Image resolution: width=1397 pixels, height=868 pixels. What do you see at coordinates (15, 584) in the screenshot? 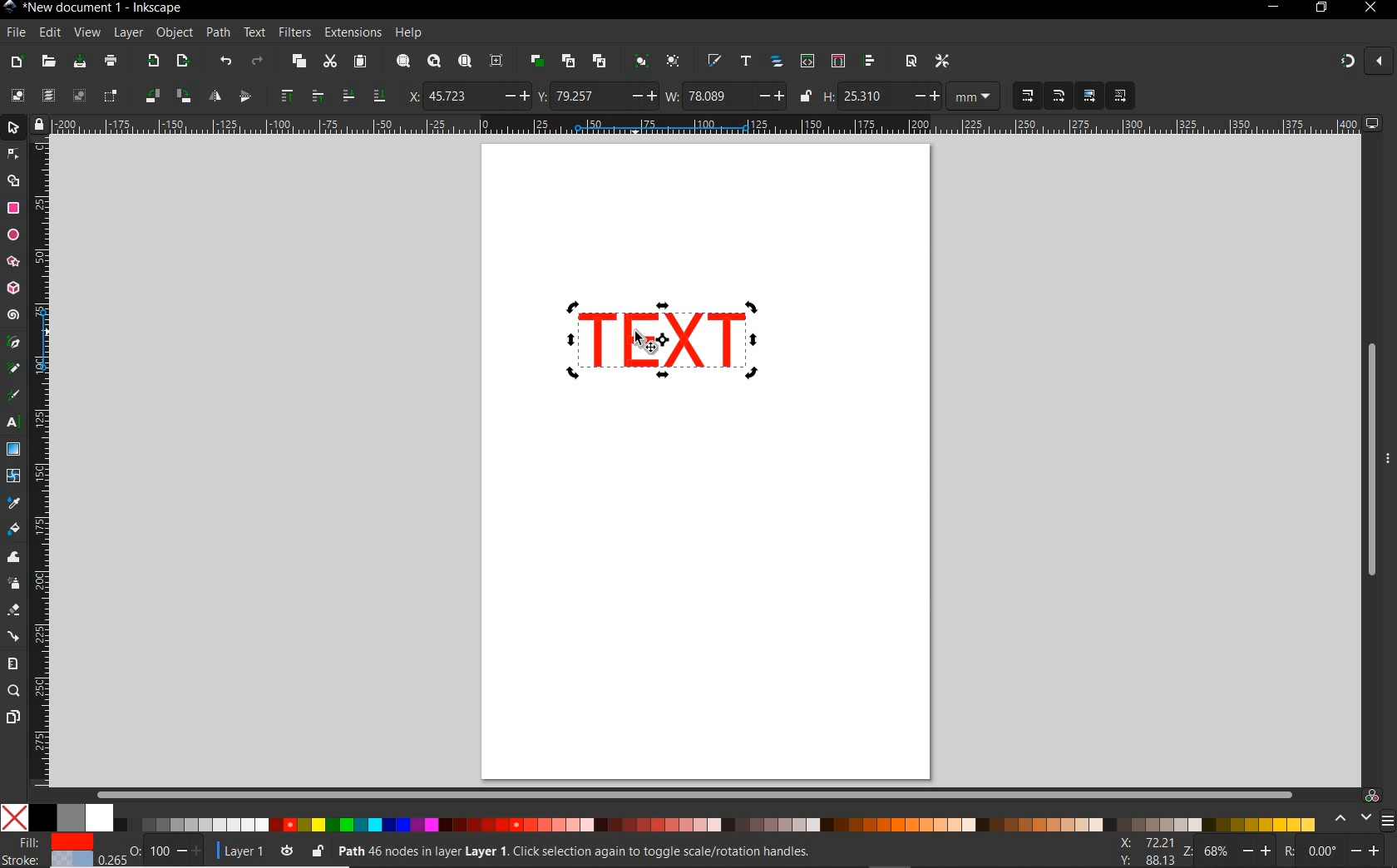
I see `SPRAY TOOL` at bounding box center [15, 584].